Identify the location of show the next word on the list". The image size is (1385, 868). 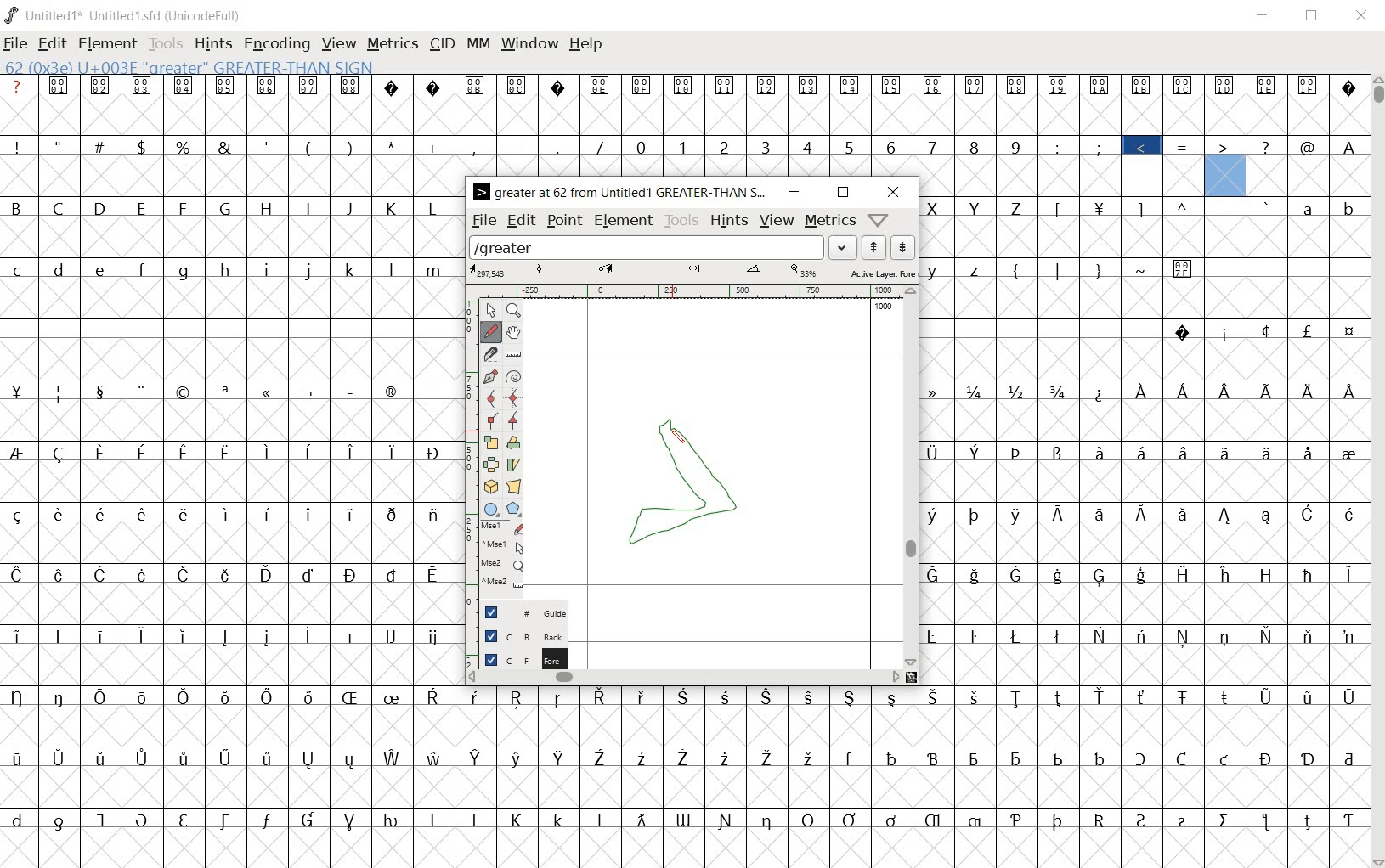
(876, 247).